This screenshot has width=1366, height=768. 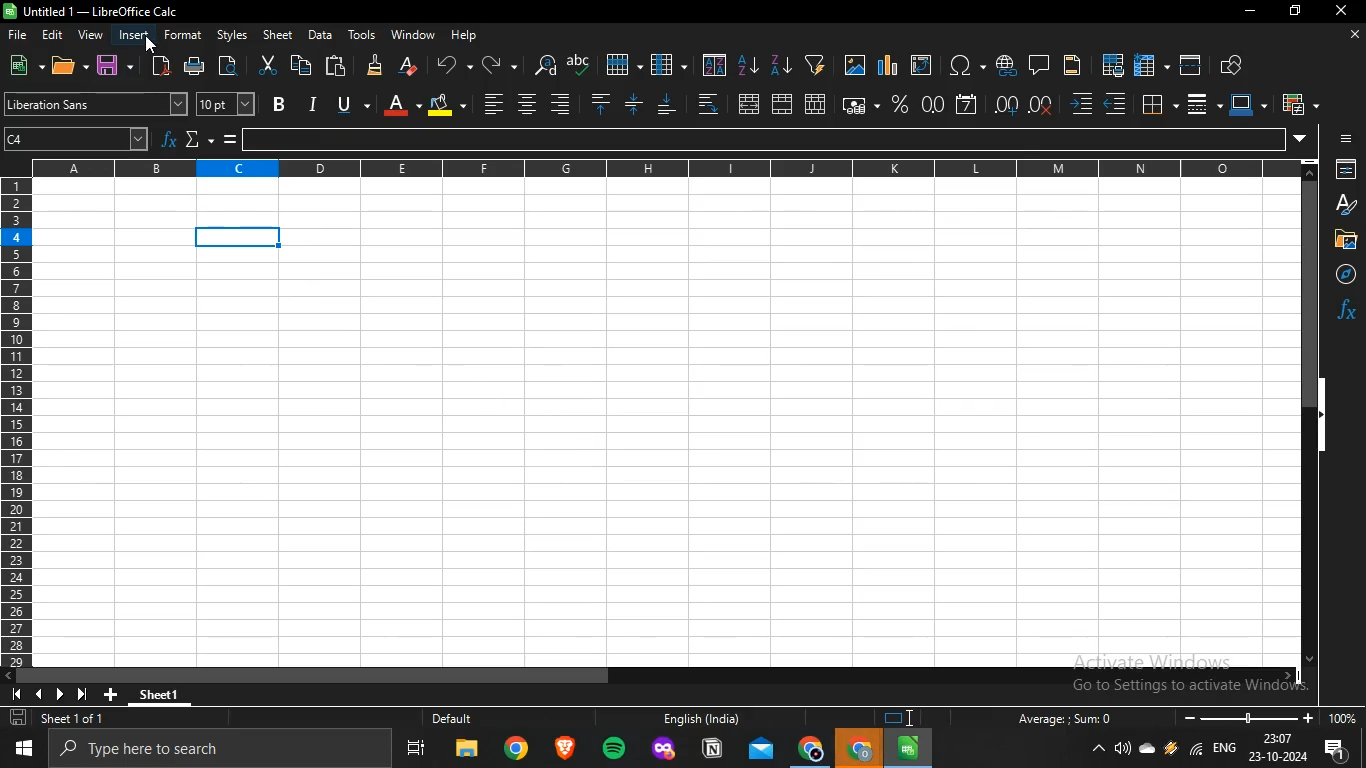 What do you see at coordinates (1005, 65) in the screenshot?
I see `insert hyperlink` at bounding box center [1005, 65].